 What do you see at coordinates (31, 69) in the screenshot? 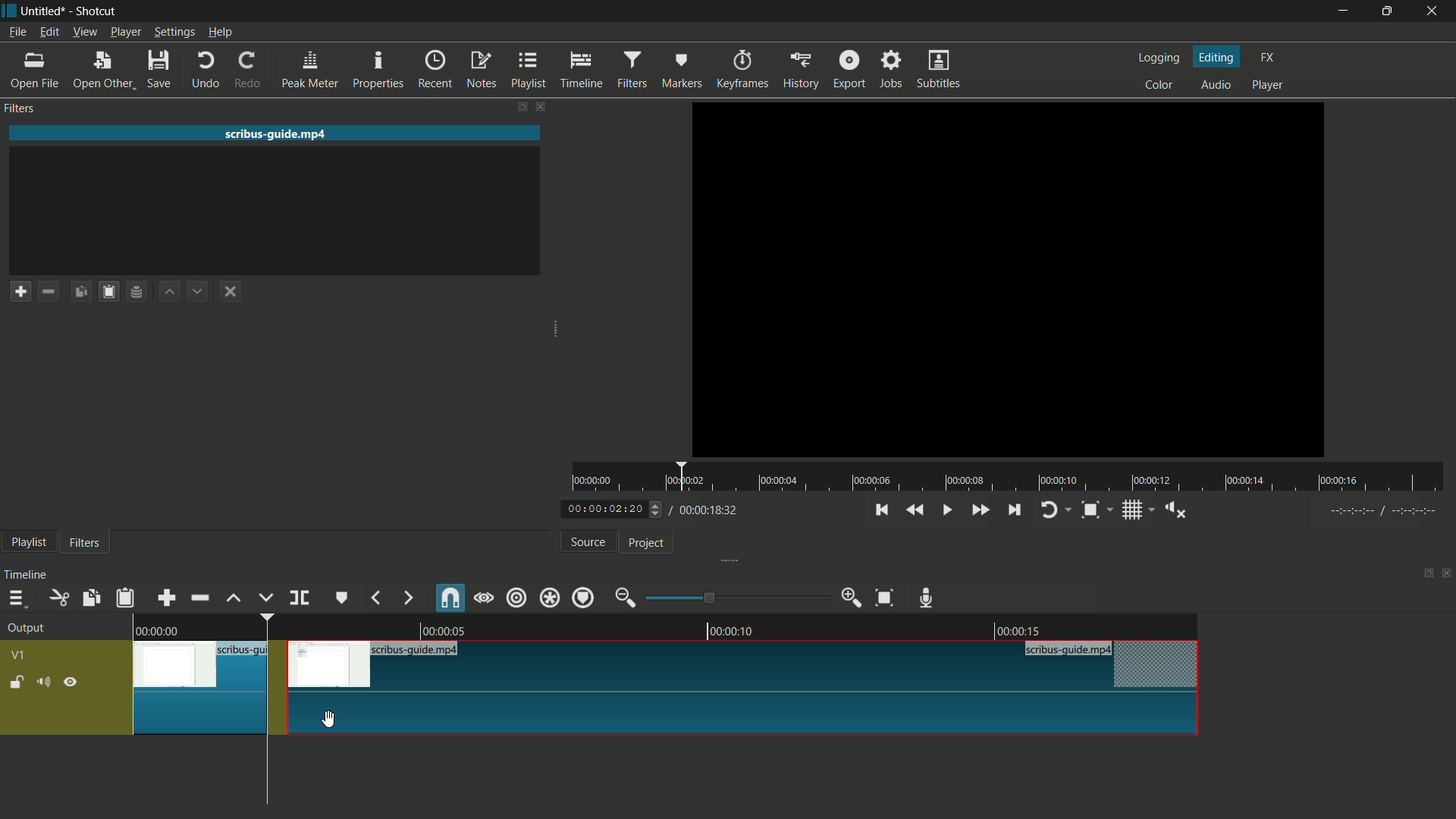
I see `open file` at bounding box center [31, 69].